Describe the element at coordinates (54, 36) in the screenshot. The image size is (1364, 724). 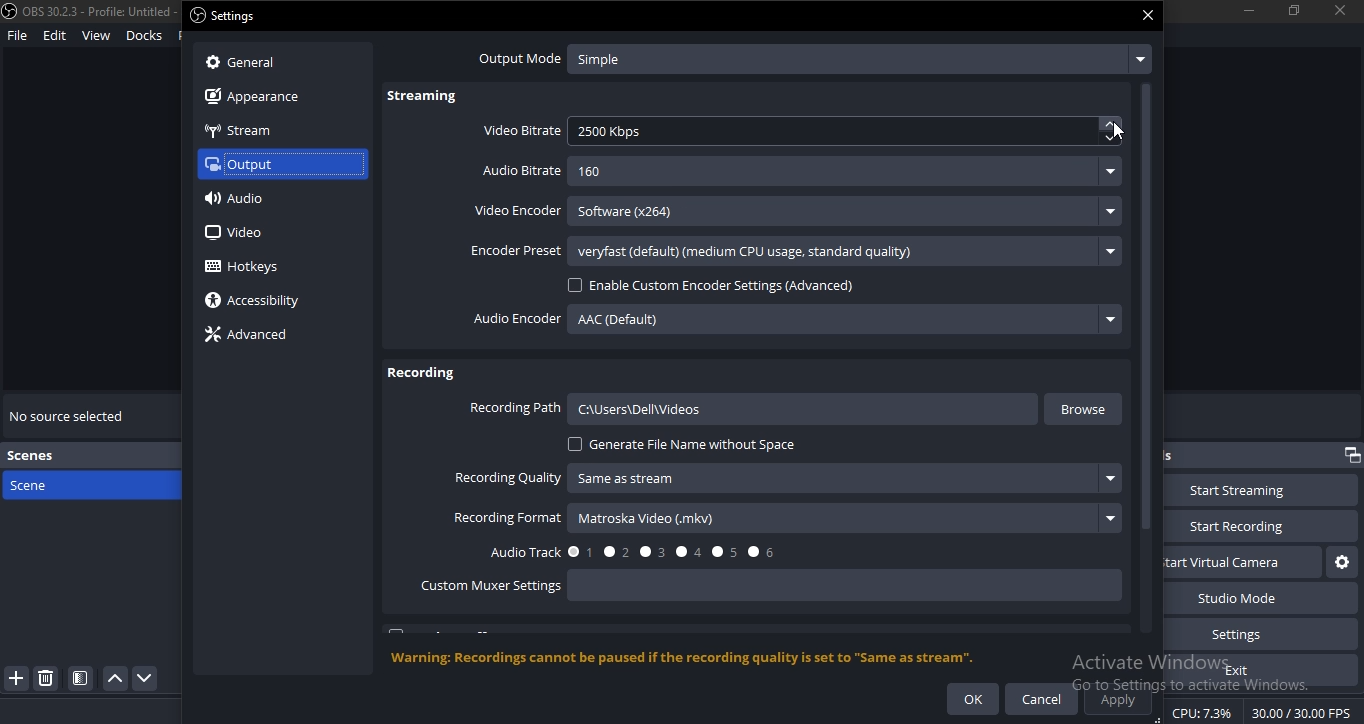
I see `edit` at that location.